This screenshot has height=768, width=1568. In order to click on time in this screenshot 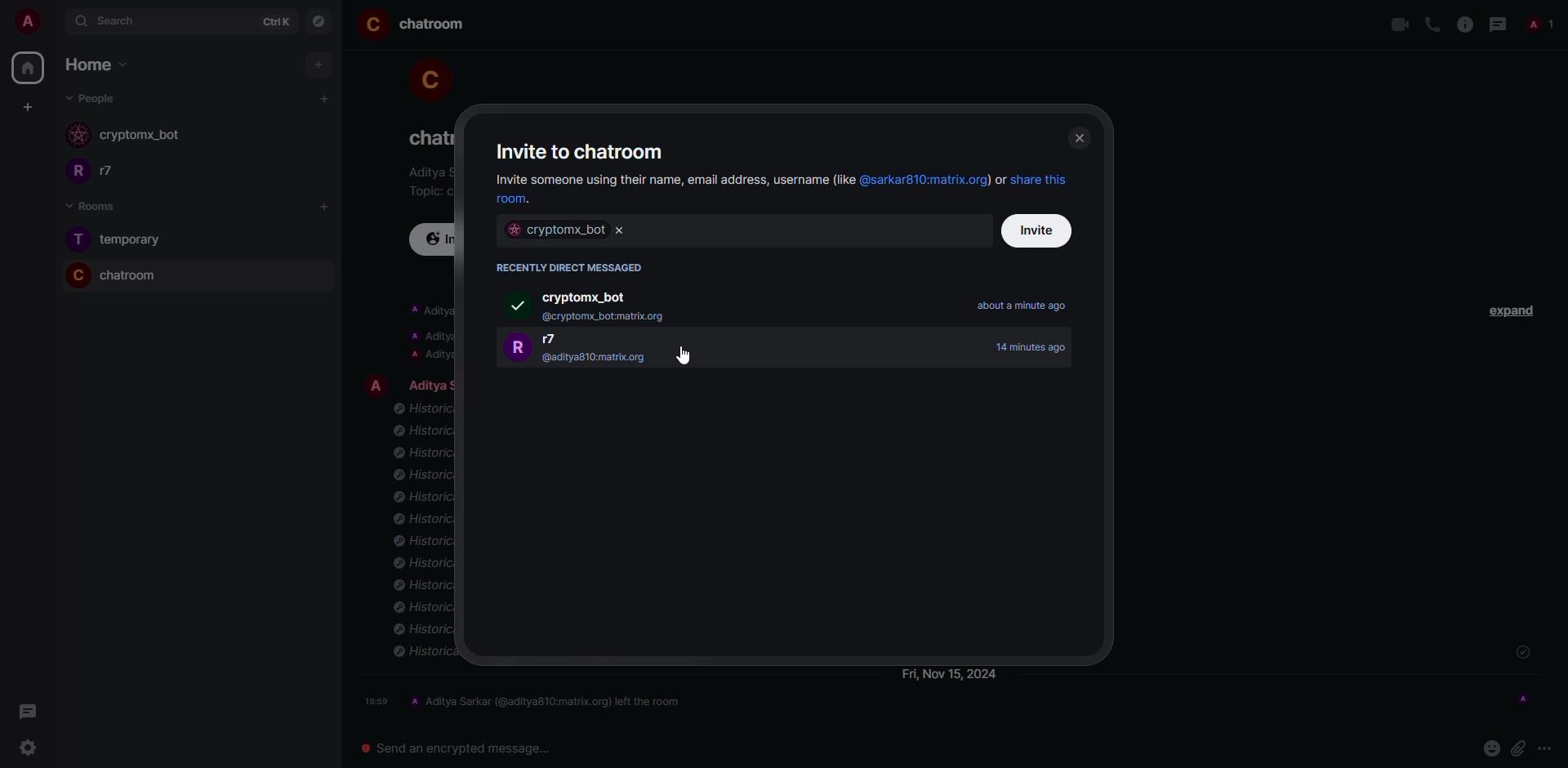, I will do `click(377, 701)`.